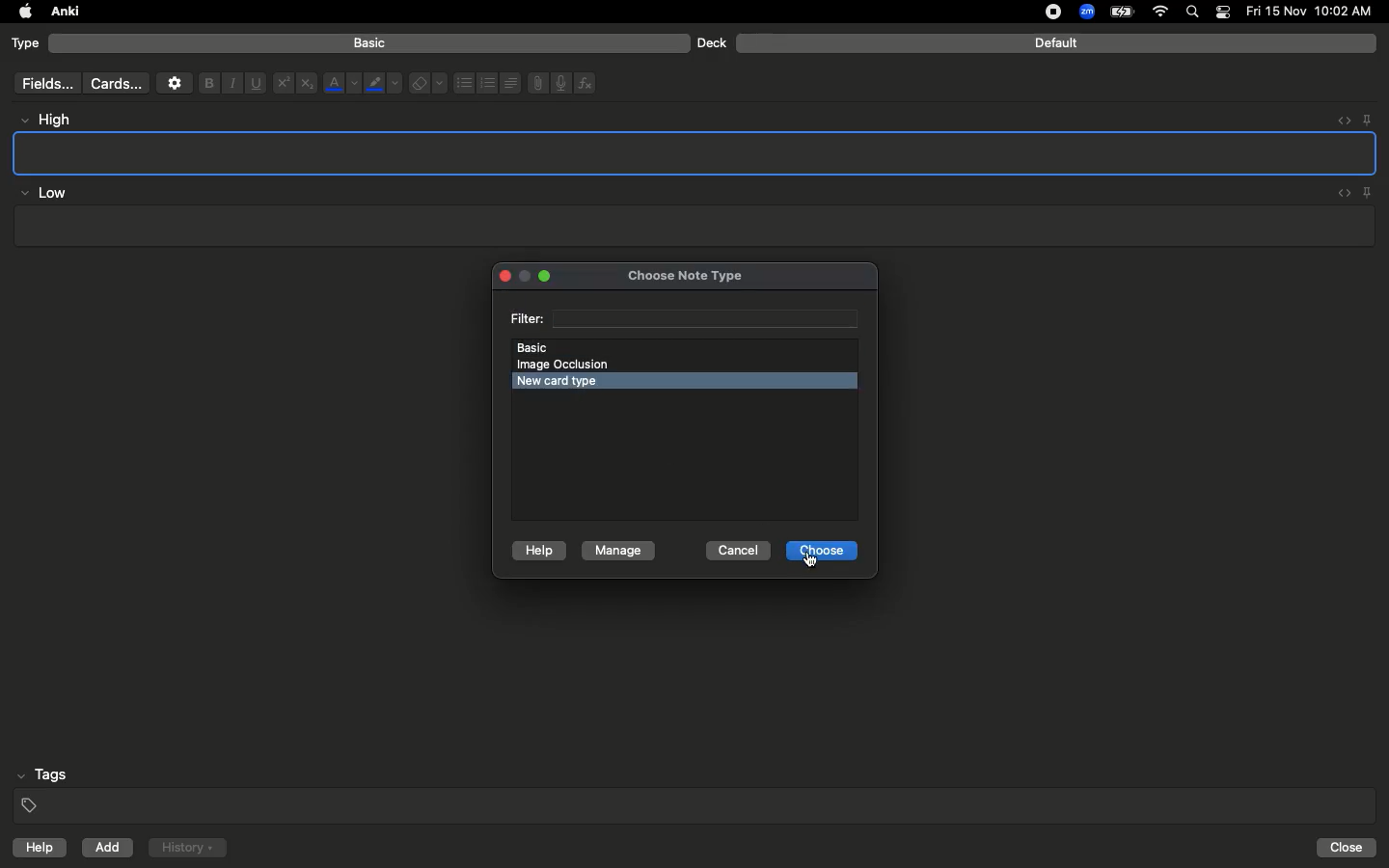  I want to click on Textbox, so click(692, 227).